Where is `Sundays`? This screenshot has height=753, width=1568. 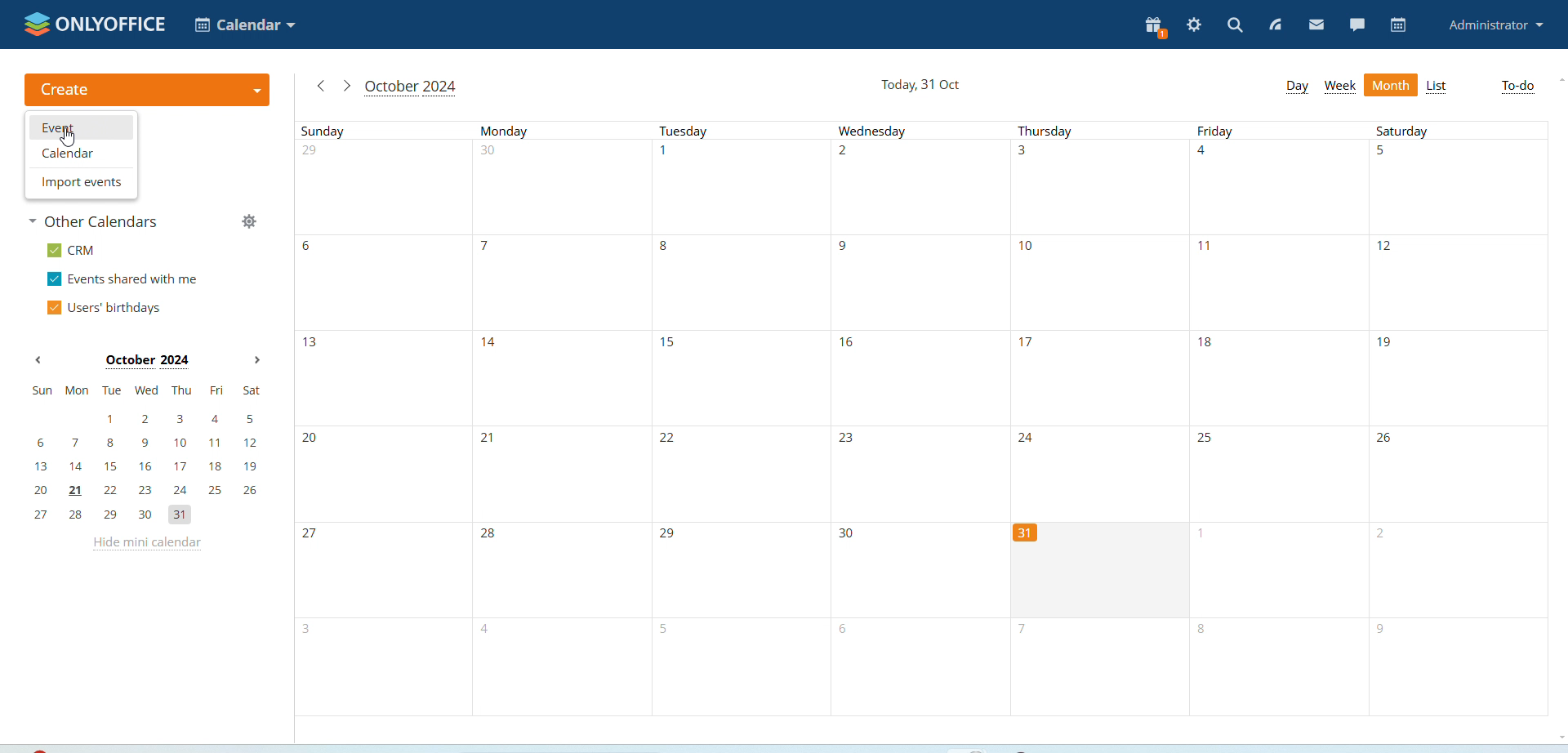
Sundays is located at coordinates (380, 418).